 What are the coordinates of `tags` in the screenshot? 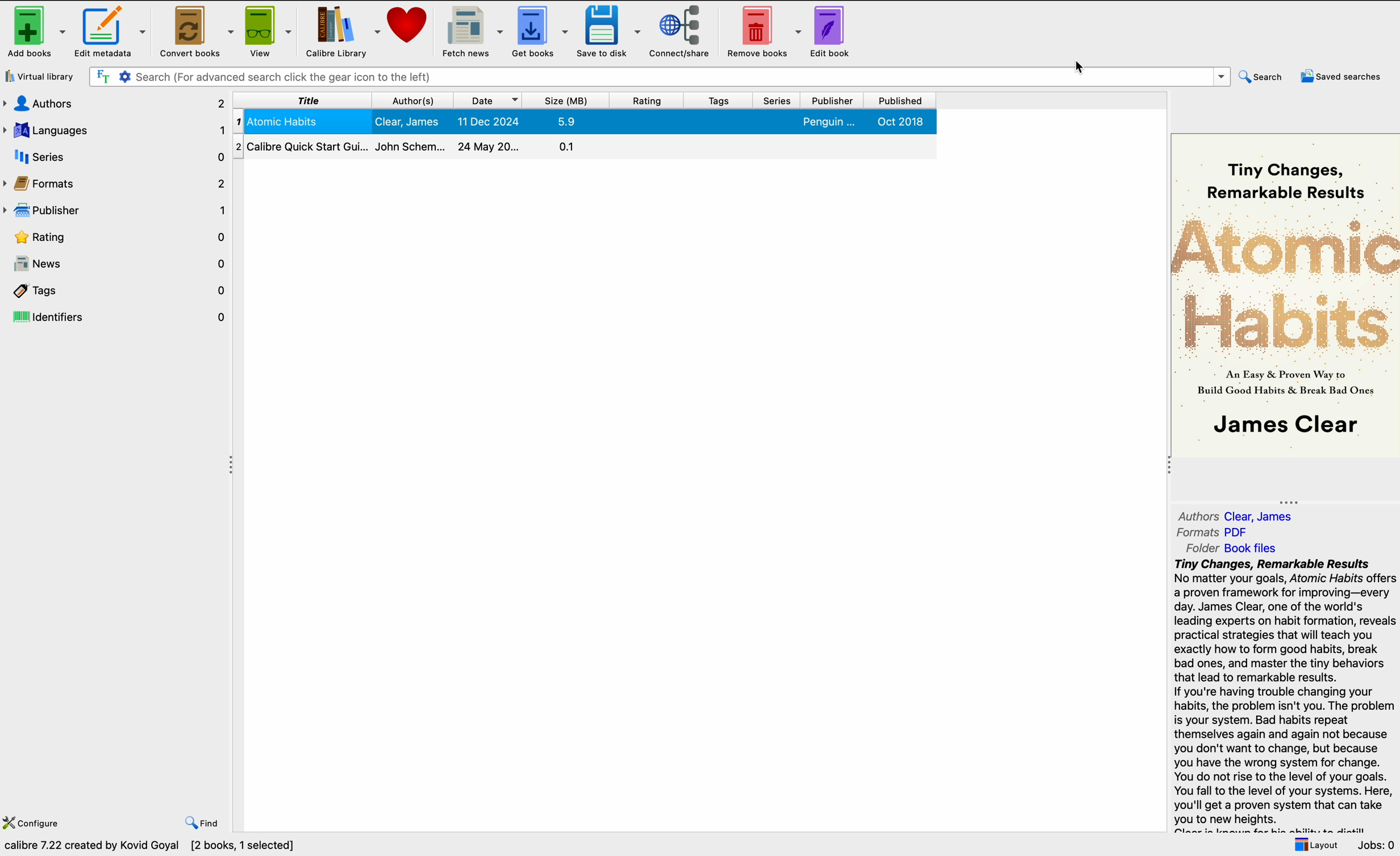 It's located at (115, 290).